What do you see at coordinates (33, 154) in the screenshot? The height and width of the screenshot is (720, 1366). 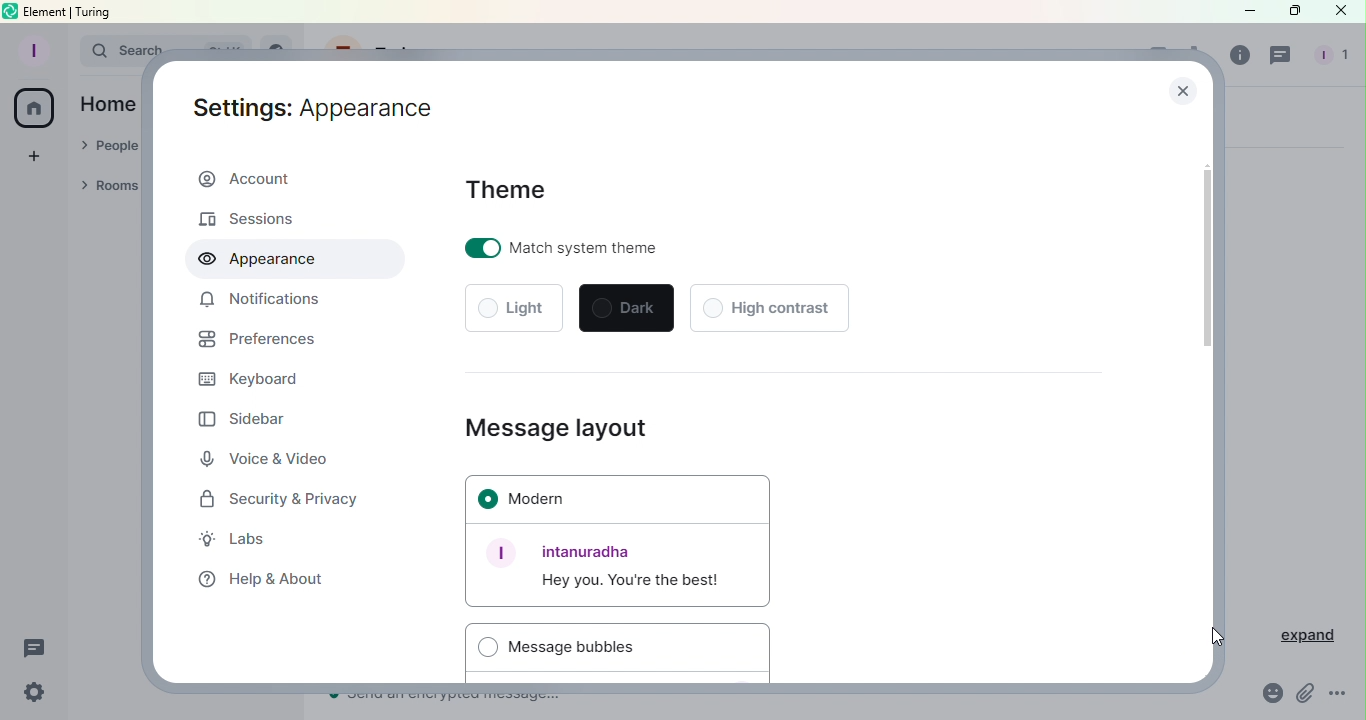 I see `Create a space` at bounding box center [33, 154].